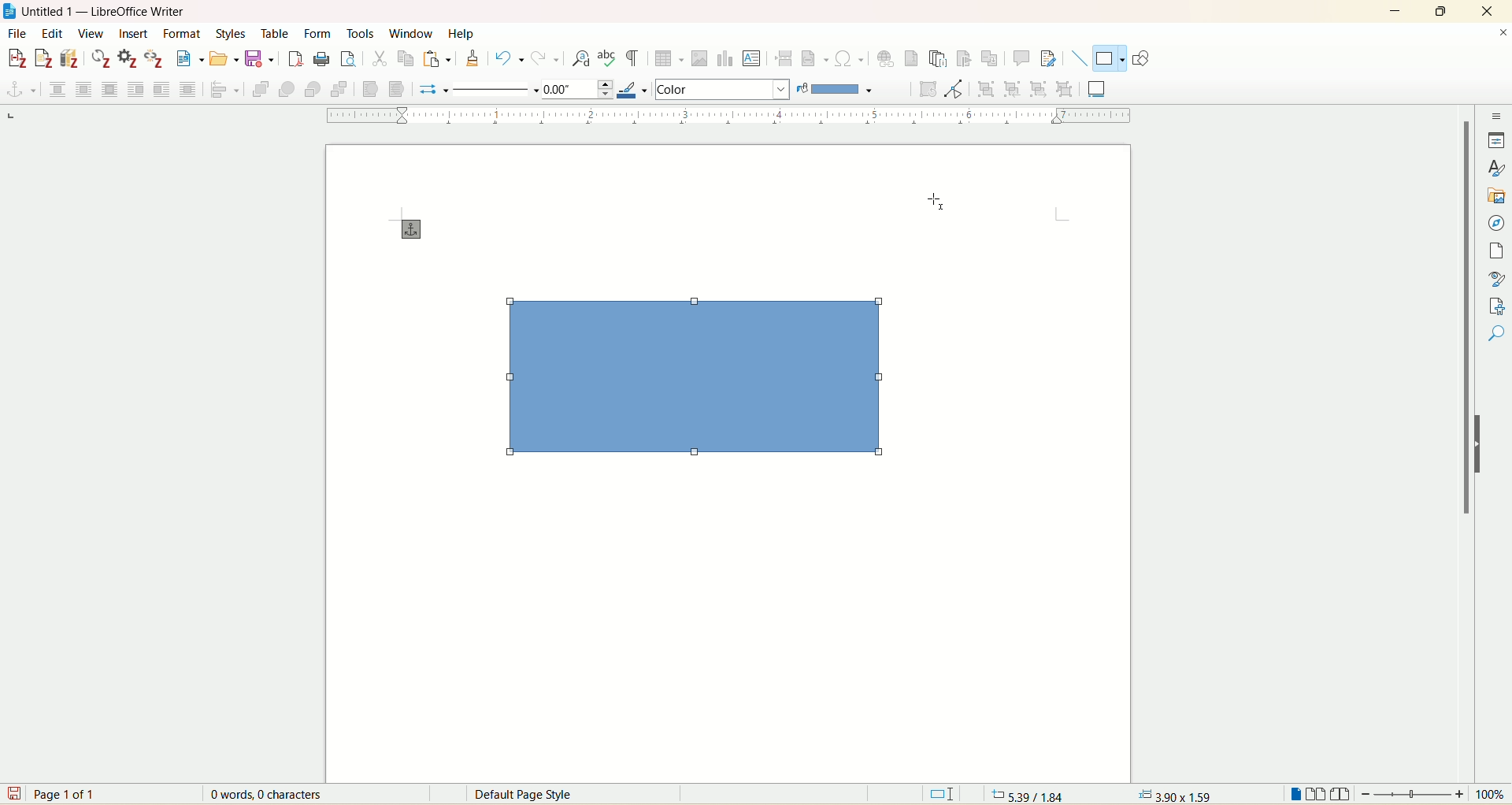 This screenshot has height=805, width=1512. What do you see at coordinates (161, 88) in the screenshot?
I see `after` at bounding box center [161, 88].